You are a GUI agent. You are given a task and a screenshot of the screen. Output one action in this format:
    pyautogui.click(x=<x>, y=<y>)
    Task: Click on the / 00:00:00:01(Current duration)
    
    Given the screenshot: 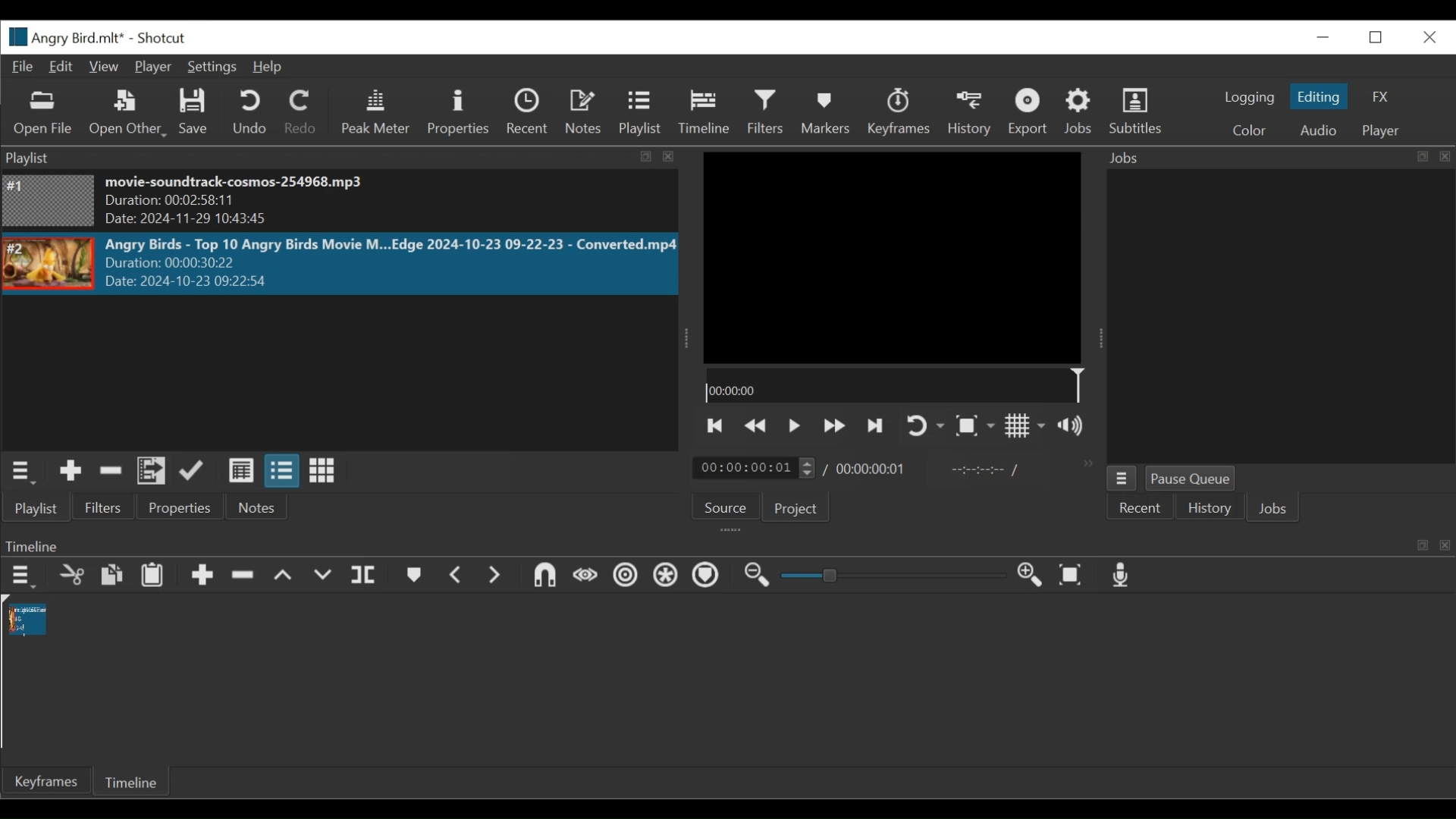 What is the action you would take?
    pyautogui.click(x=748, y=467)
    